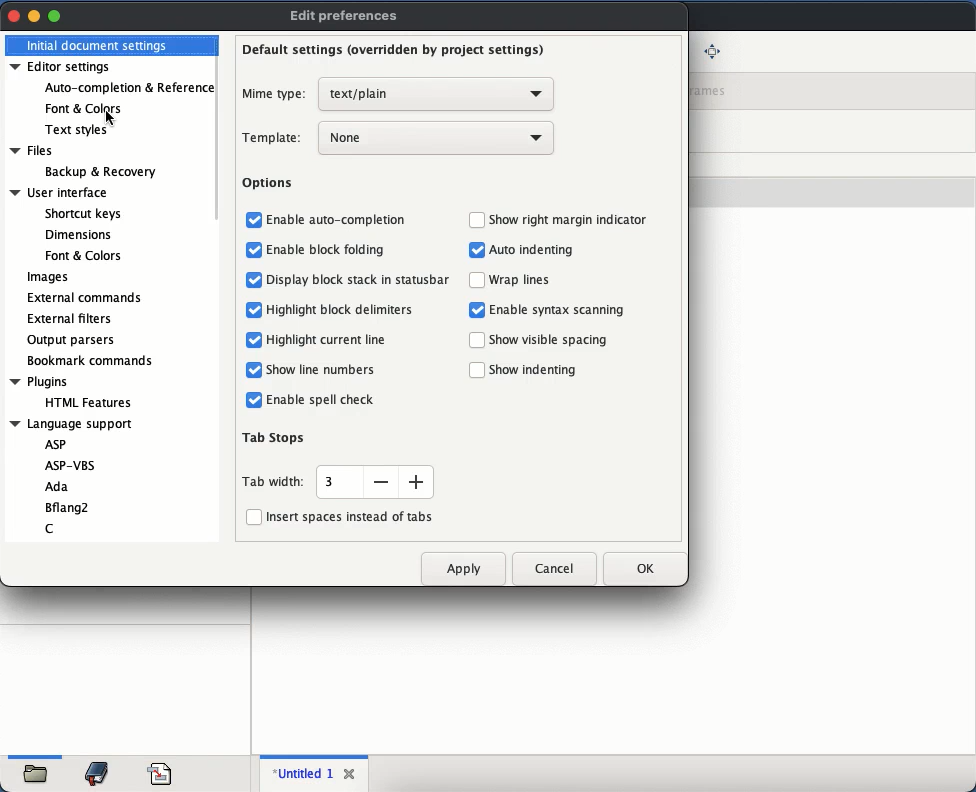 This screenshot has width=976, height=792. Describe the element at coordinates (249, 219) in the screenshot. I see `checkbox` at that location.